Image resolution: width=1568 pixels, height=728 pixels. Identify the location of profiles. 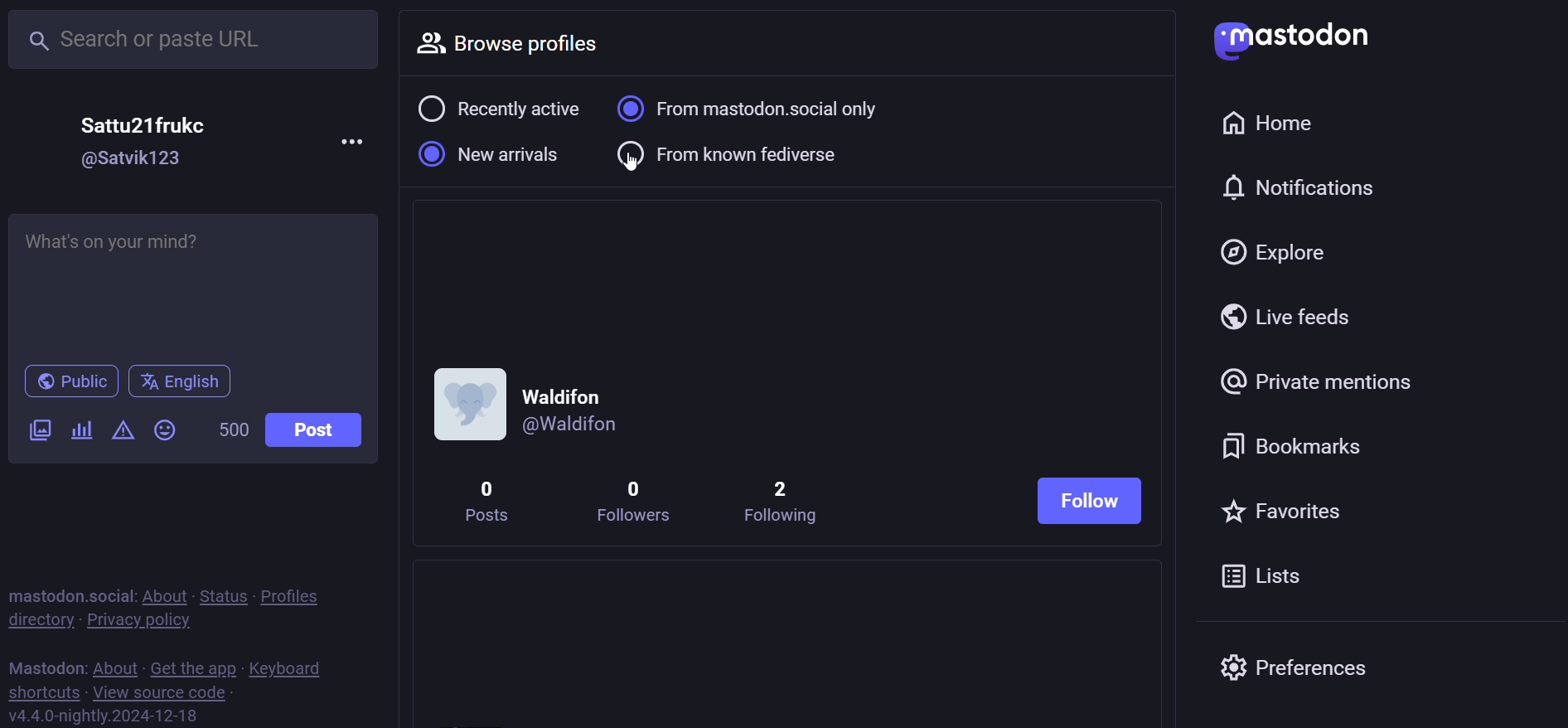
(301, 595).